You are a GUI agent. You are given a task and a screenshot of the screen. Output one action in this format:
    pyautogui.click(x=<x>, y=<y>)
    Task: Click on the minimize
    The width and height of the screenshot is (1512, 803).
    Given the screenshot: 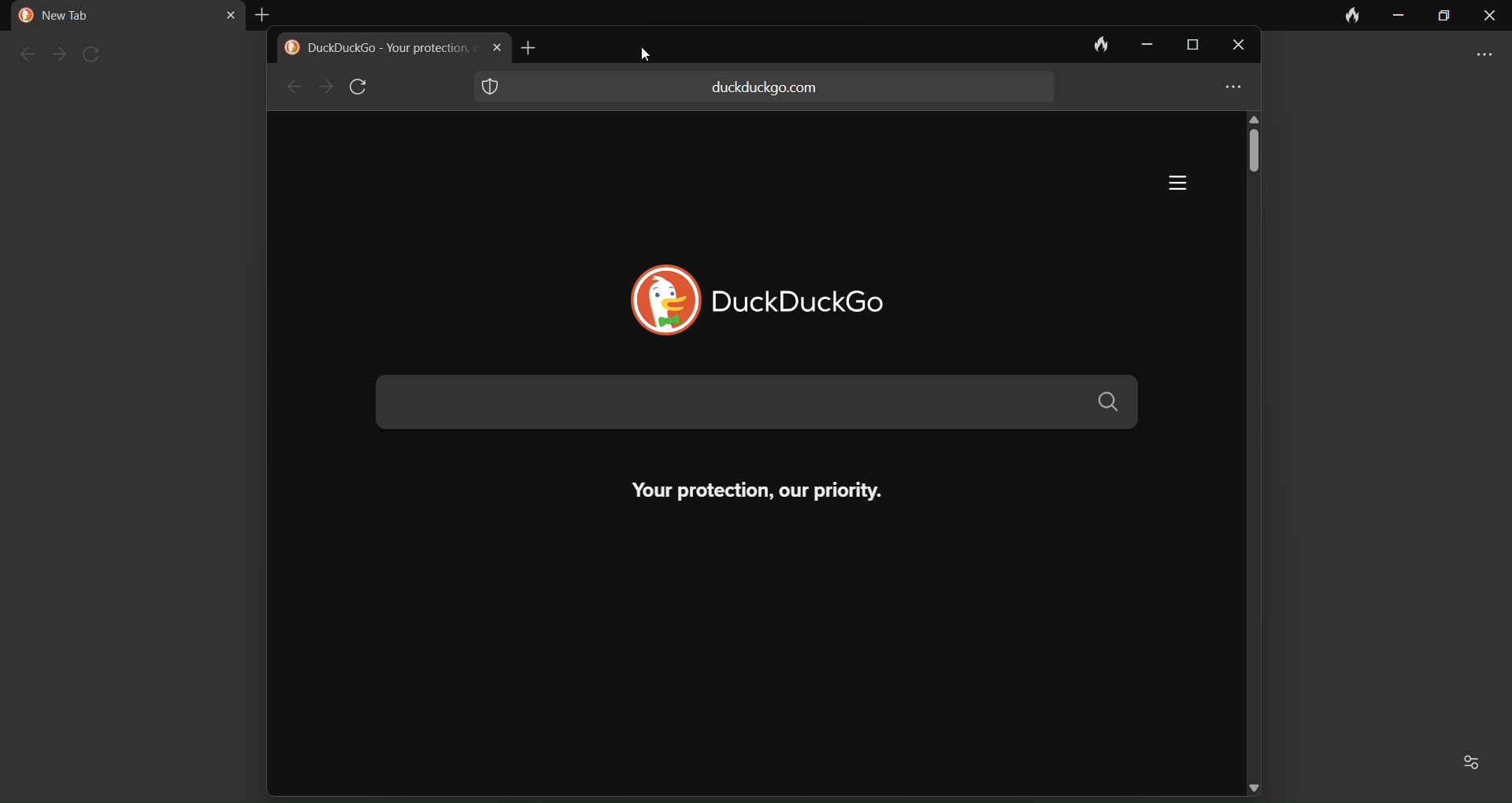 What is the action you would take?
    pyautogui.click(x=1142, y=45)
    